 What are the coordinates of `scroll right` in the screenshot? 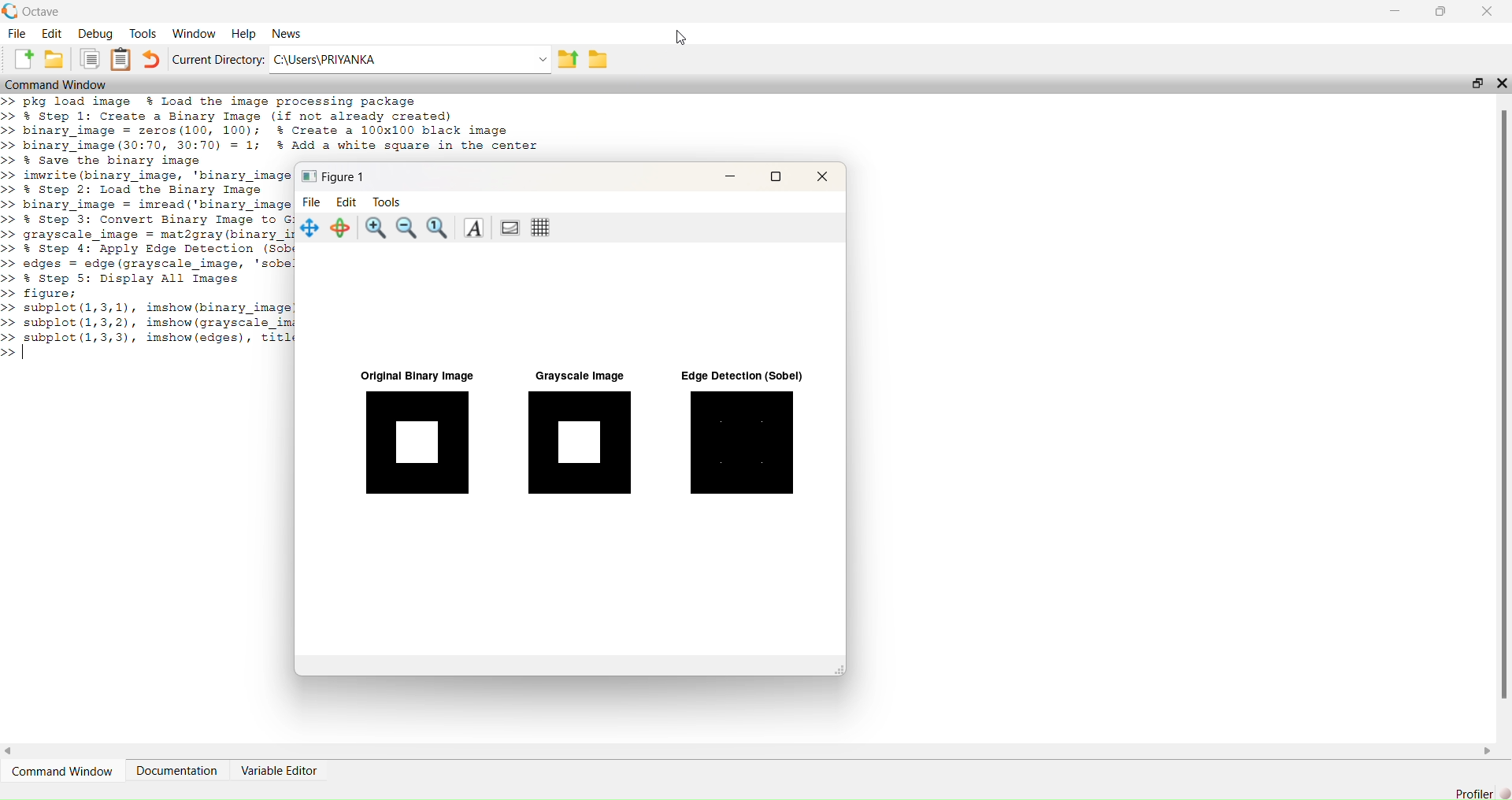 It's located at (1488, 751).